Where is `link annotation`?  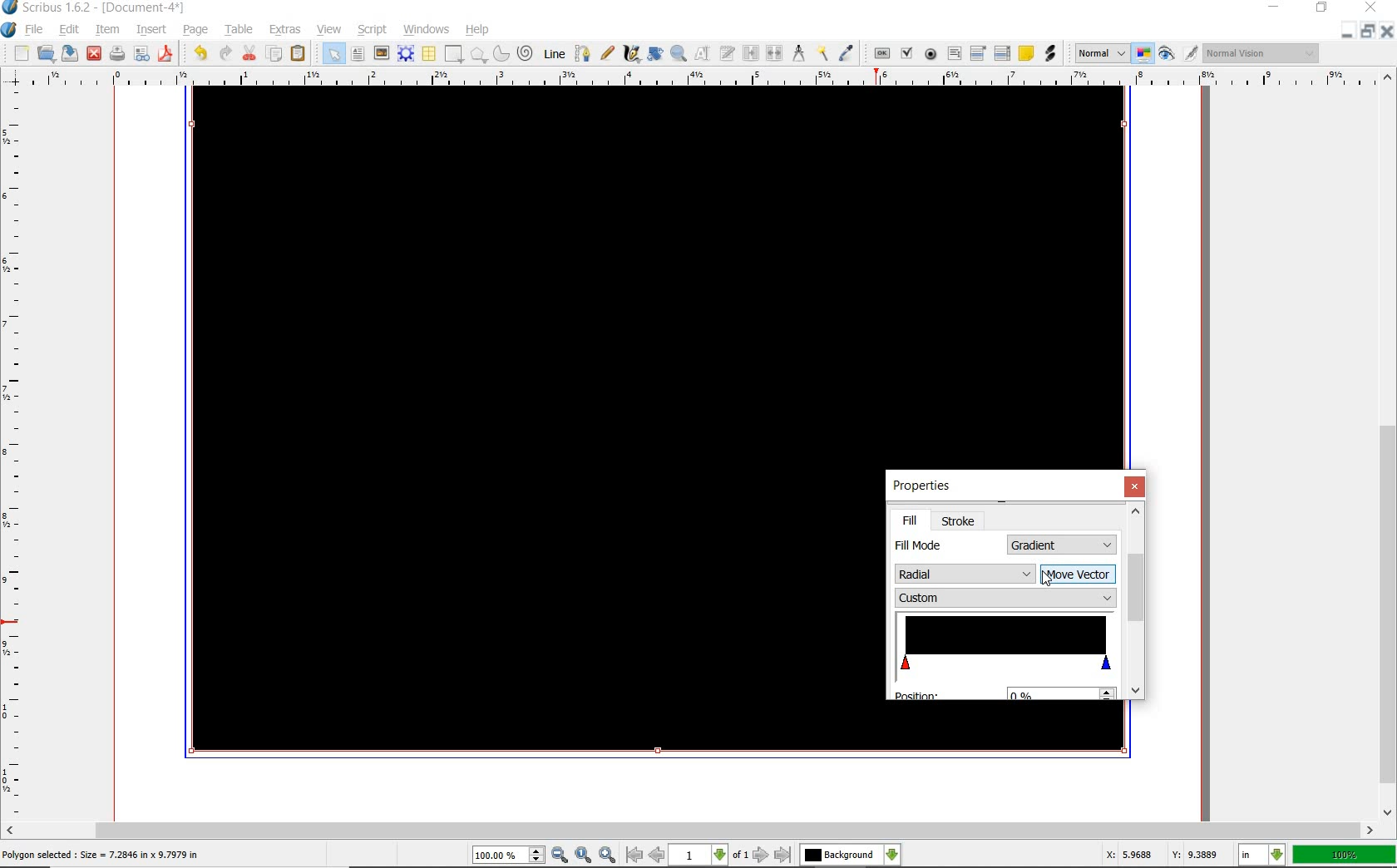 link annotation is located at coordinates (1049, 55).